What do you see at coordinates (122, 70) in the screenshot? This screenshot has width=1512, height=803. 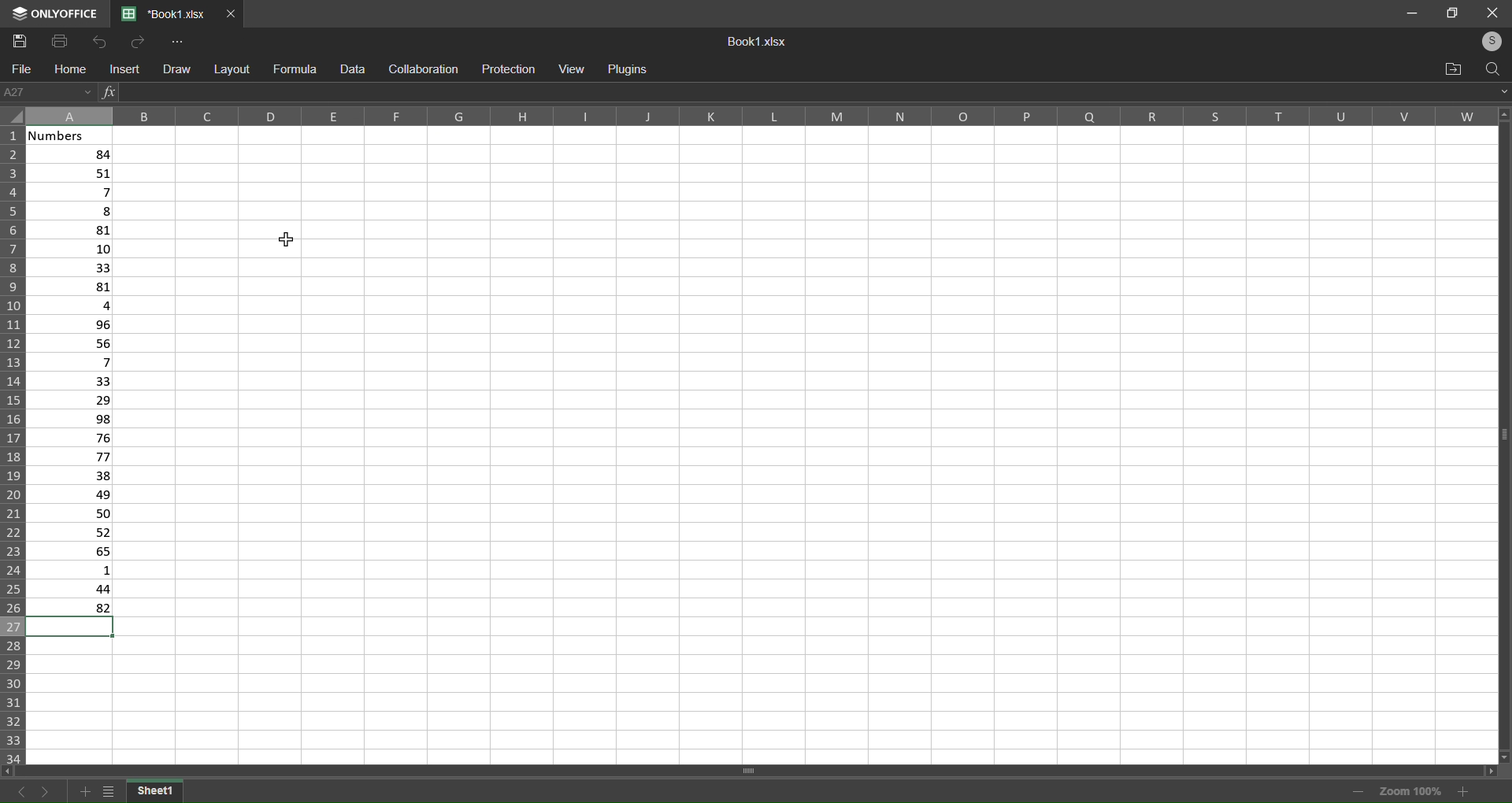 I see `insert` at bounding box center [122, 70].